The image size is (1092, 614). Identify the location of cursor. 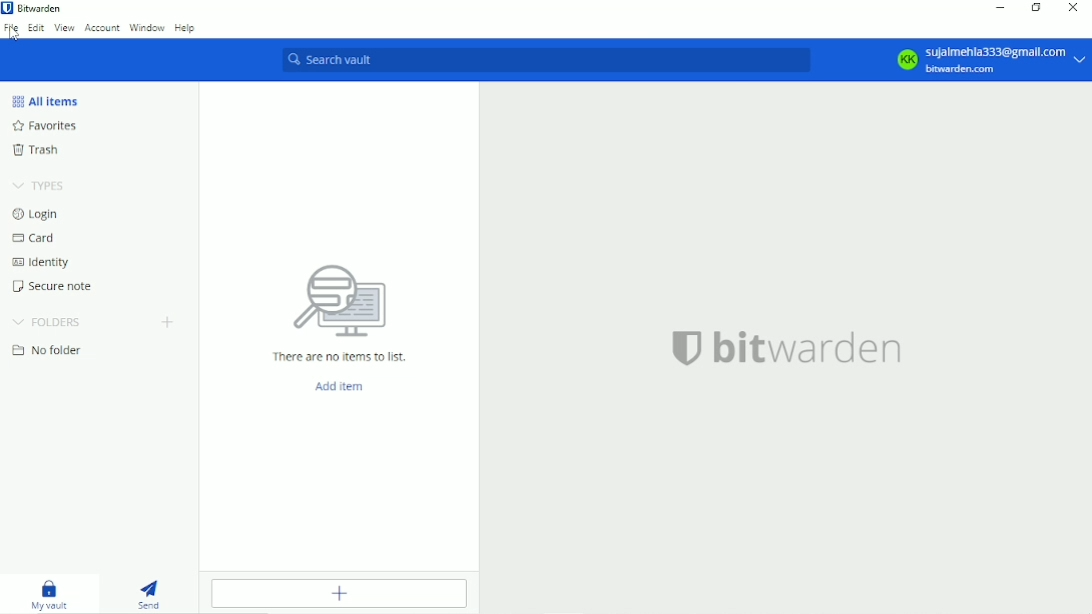
(13, 36).